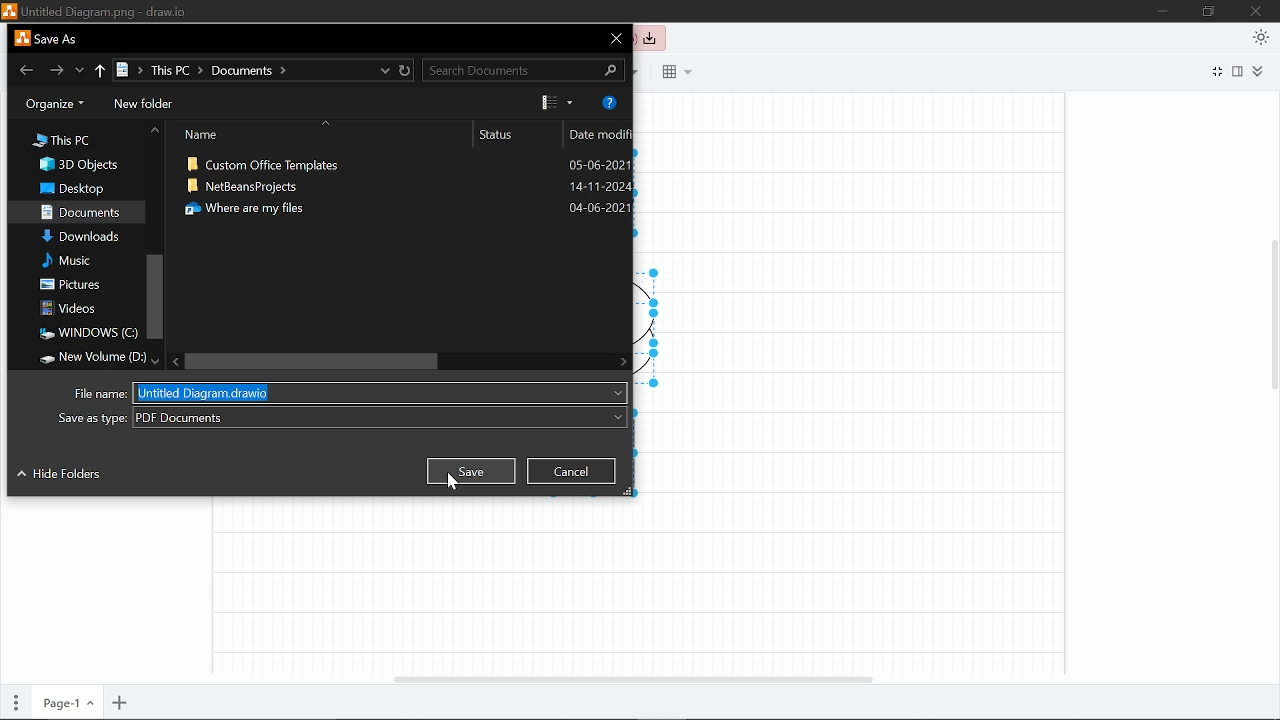 This screenshot has width=1280, height=720. I want to click on Music, so click(76, 261).